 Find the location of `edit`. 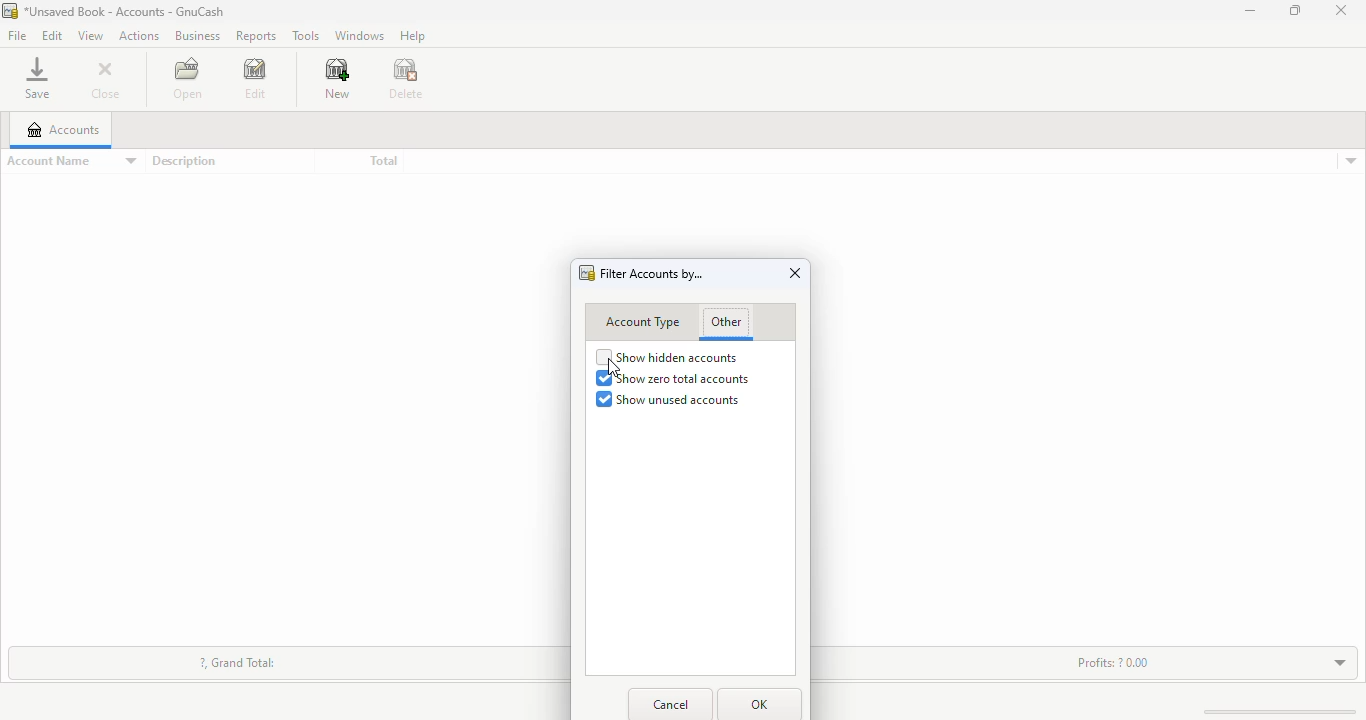

edit is located at coordinates (52, 35).